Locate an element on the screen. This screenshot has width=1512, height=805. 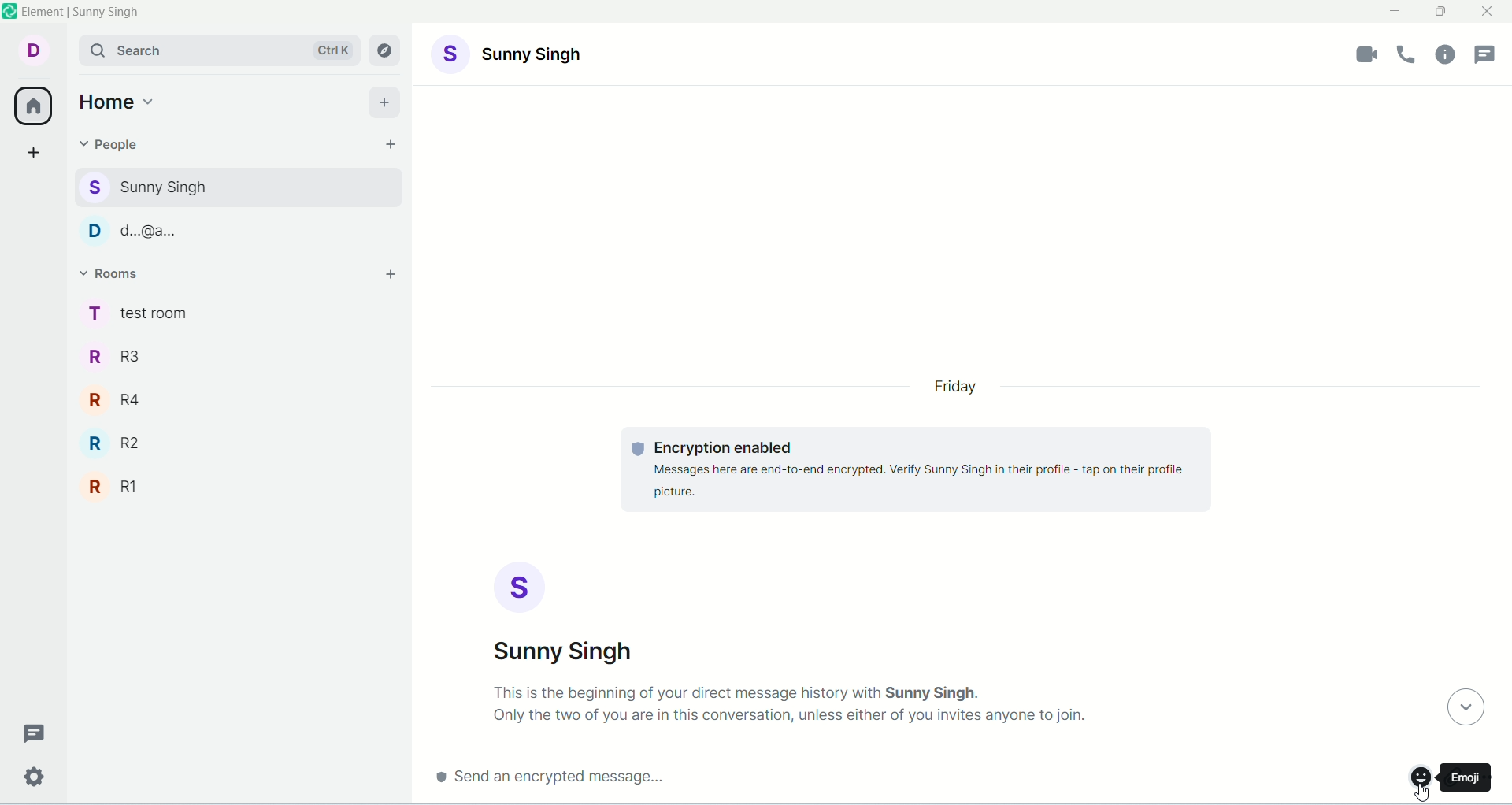
R1 is located at coordinates (239, 482).